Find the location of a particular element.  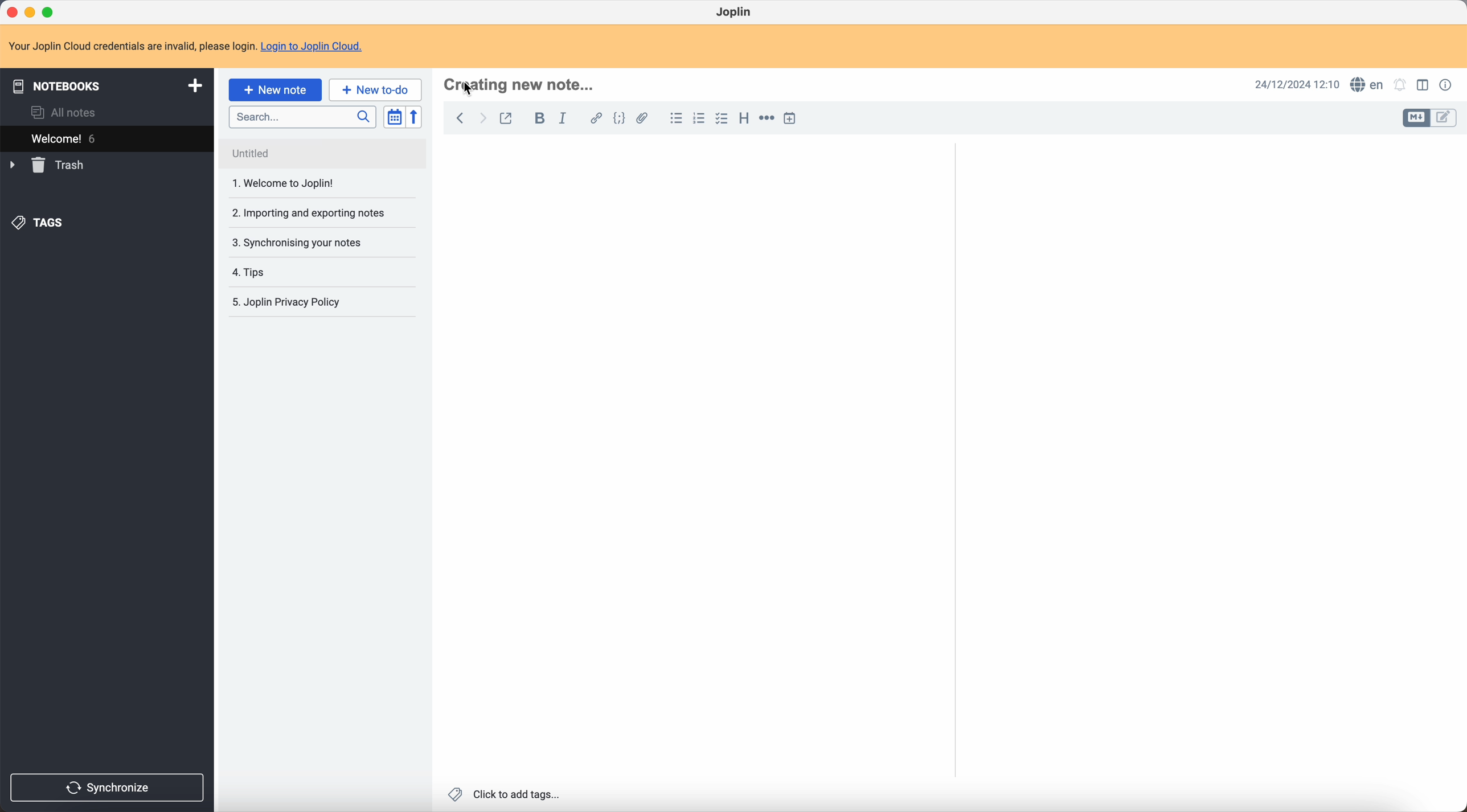

all notes is located at coordinates (67, 112).